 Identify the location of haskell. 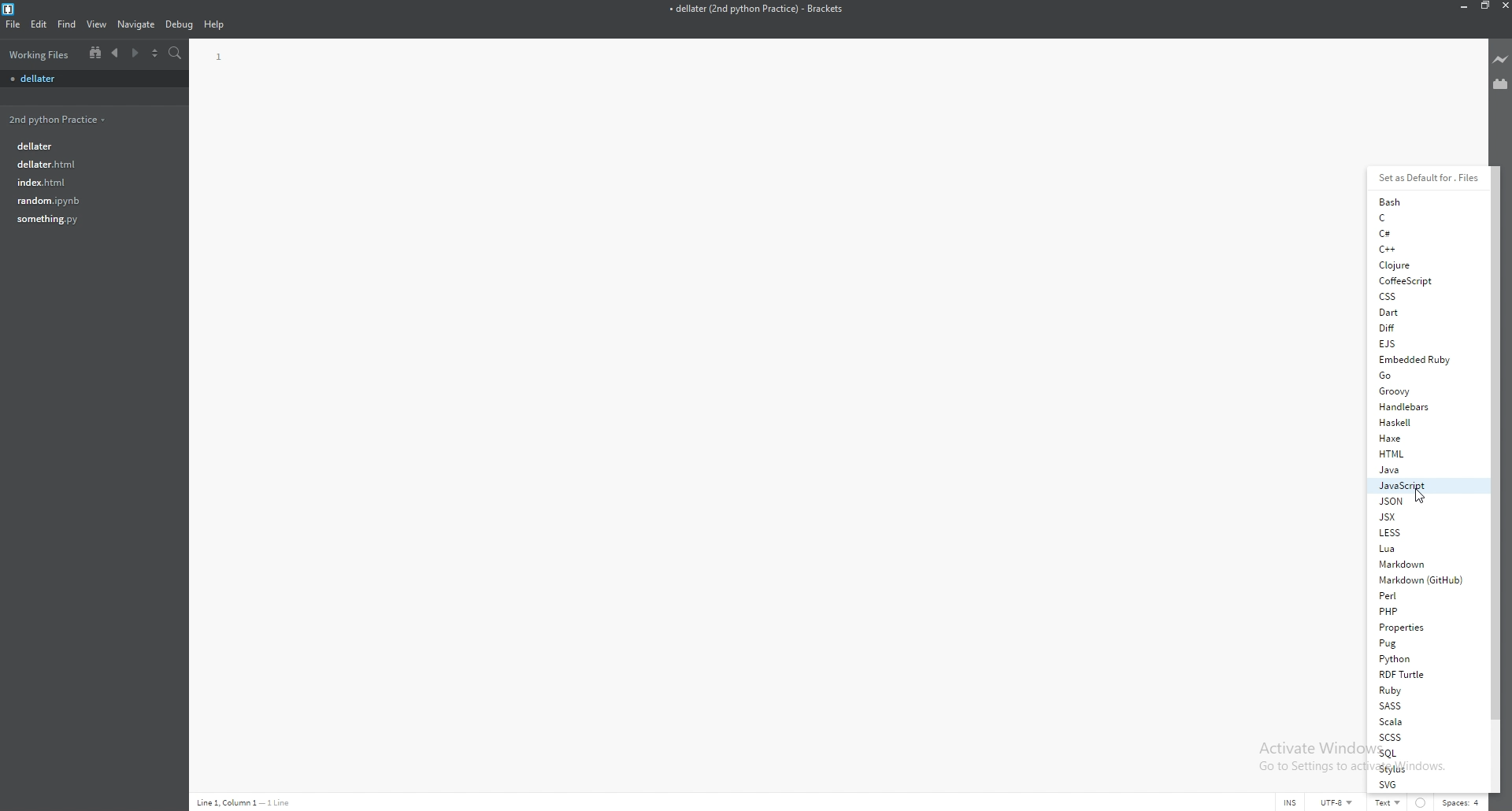
(1423, 422).